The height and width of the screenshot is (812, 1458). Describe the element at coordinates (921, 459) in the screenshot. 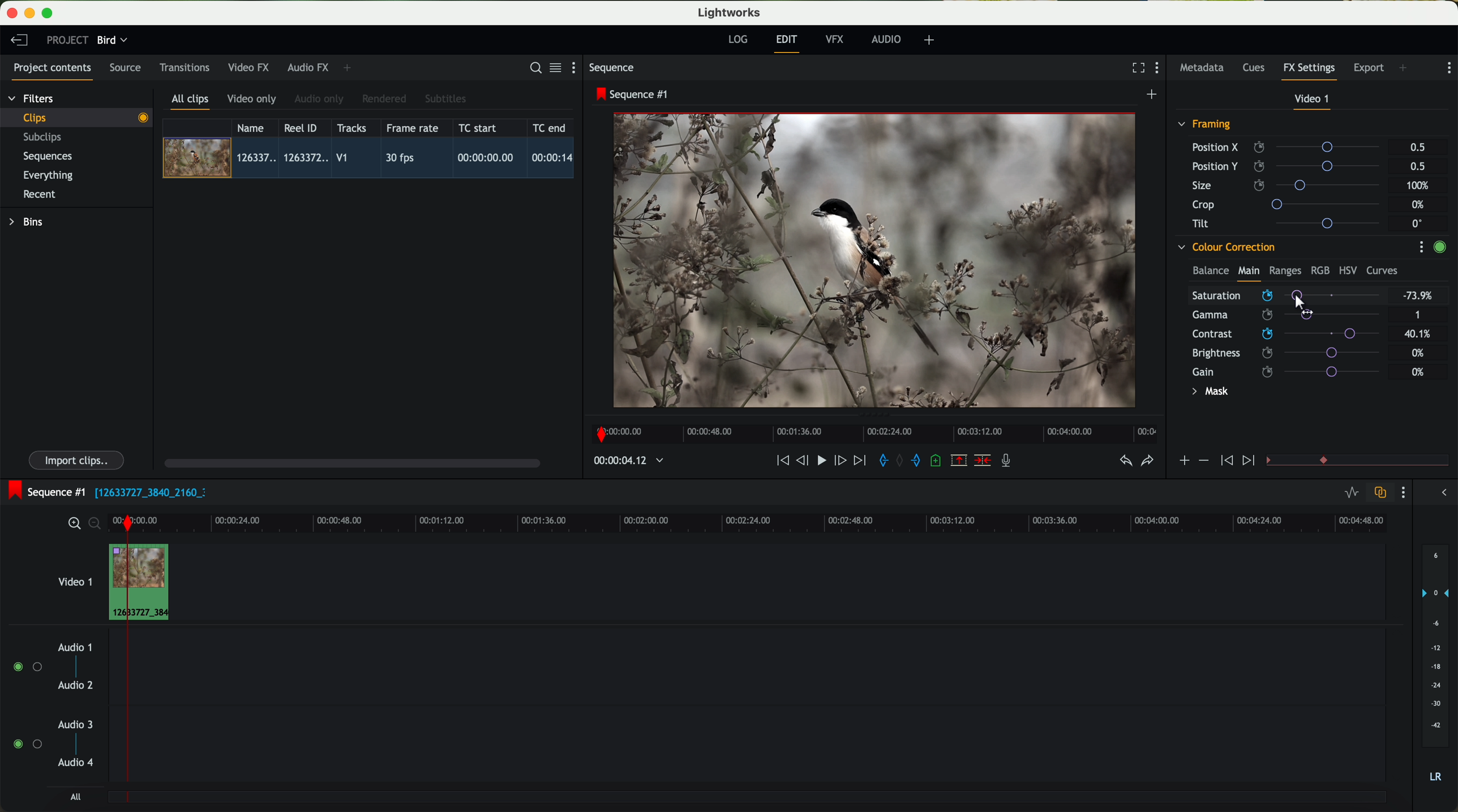

I see `add 'out' mark` at that location.